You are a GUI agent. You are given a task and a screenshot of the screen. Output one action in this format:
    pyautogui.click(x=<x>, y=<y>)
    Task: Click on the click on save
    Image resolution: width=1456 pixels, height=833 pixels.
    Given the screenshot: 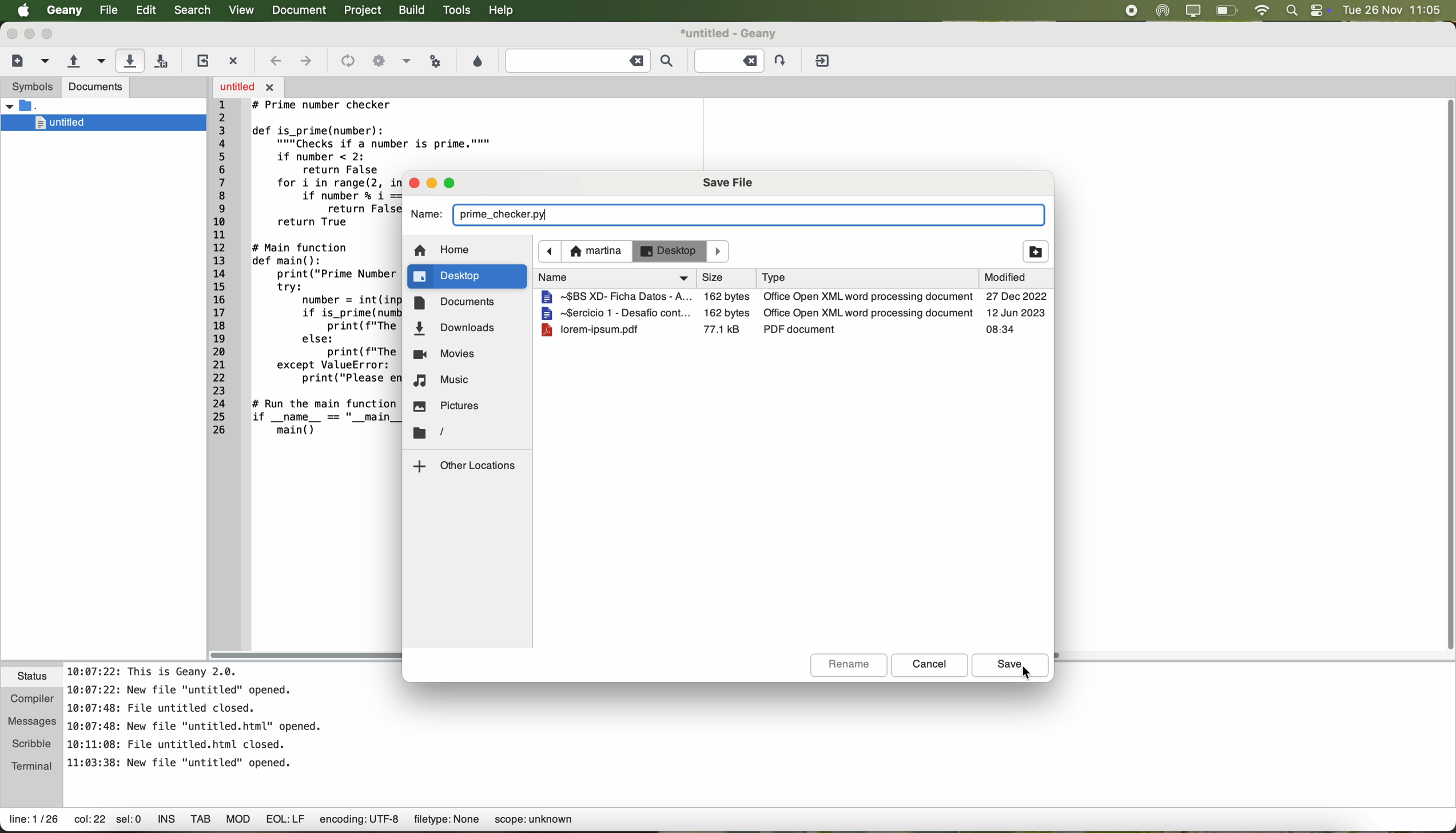 What is the action you would take?
    pyautogui.click(x=1011, y=665)
    